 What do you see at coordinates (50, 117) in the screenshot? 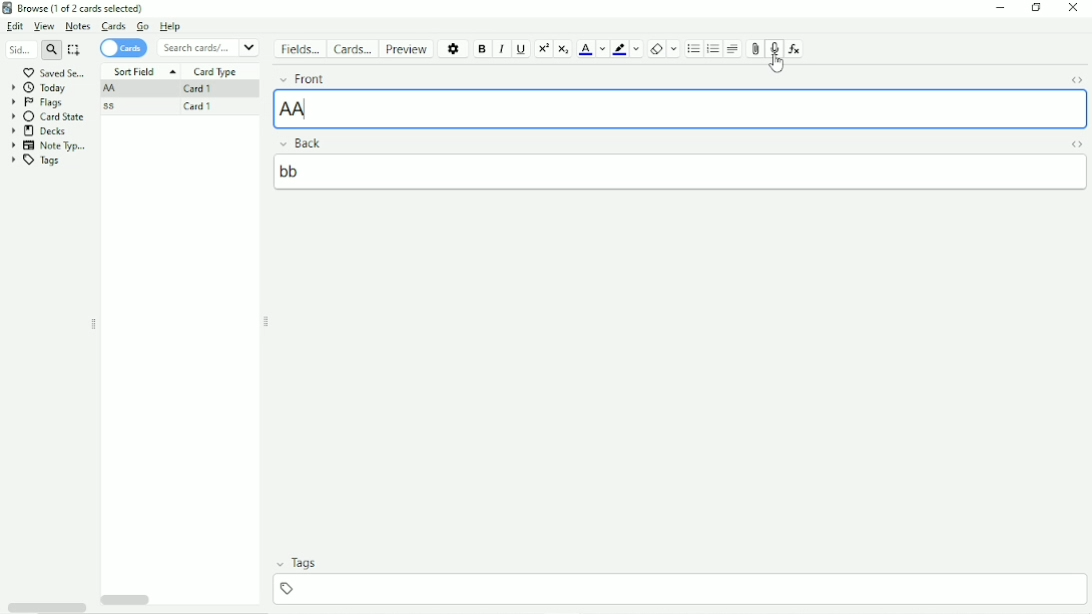
I see `Card State` at bounding box center [50, 117].